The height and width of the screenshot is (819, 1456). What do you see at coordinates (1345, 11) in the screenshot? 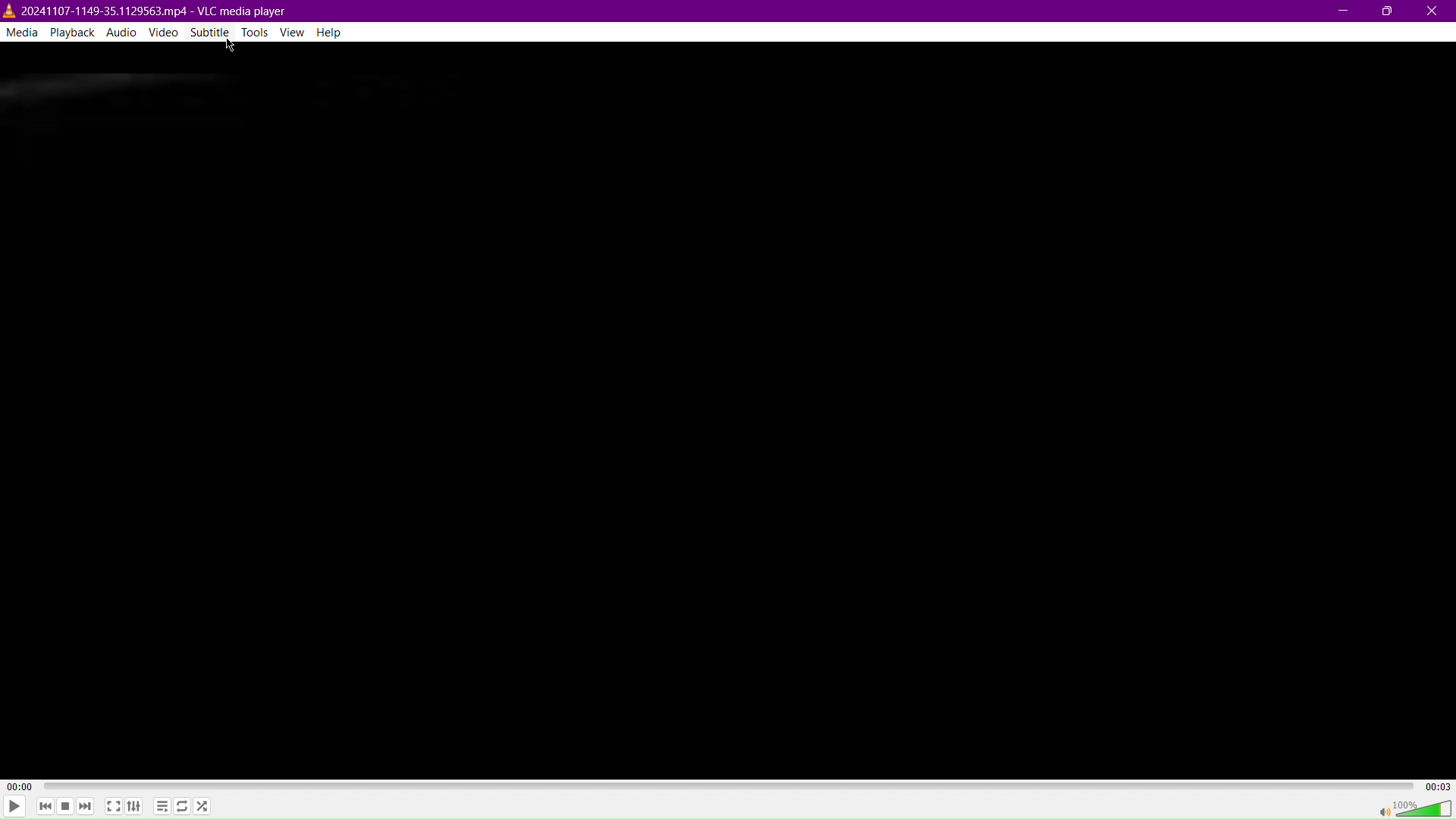
I see `Minimize` at bounding box center [1345, 11].